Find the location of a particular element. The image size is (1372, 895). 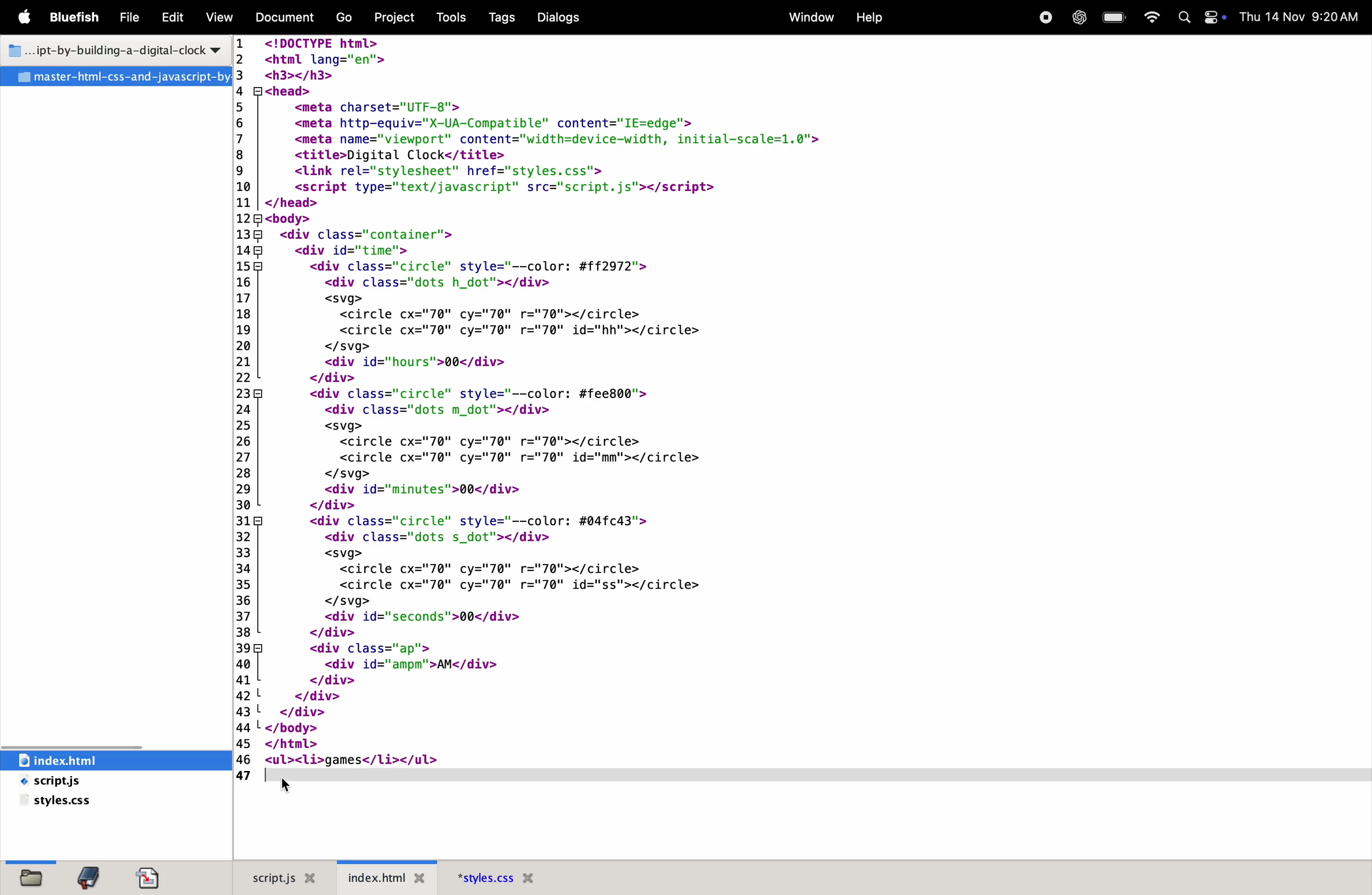

Apple widgets is located at coordinates (1198, 18).